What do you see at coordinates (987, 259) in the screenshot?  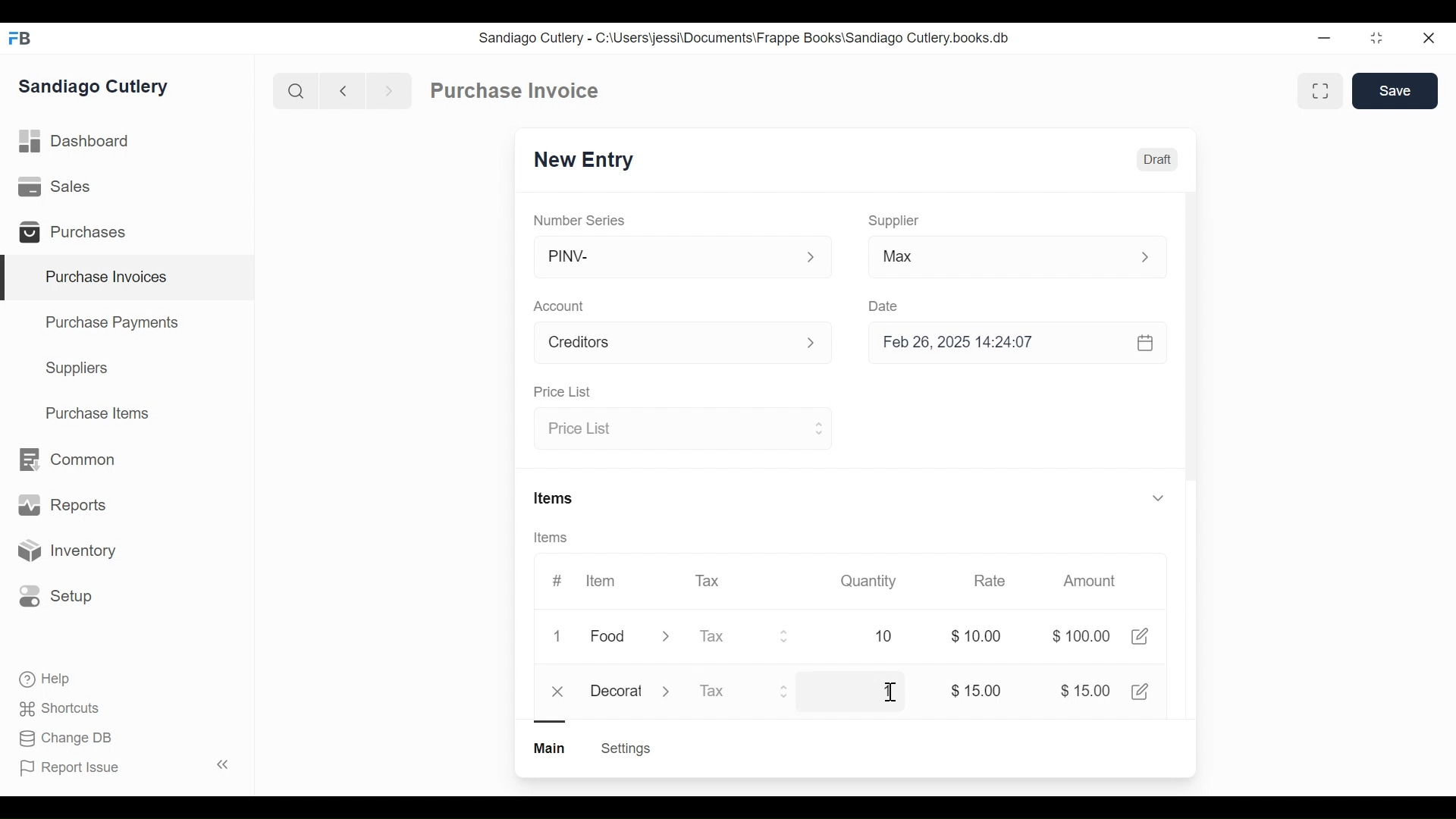 I see `Max` at bounding box center [987, 259].